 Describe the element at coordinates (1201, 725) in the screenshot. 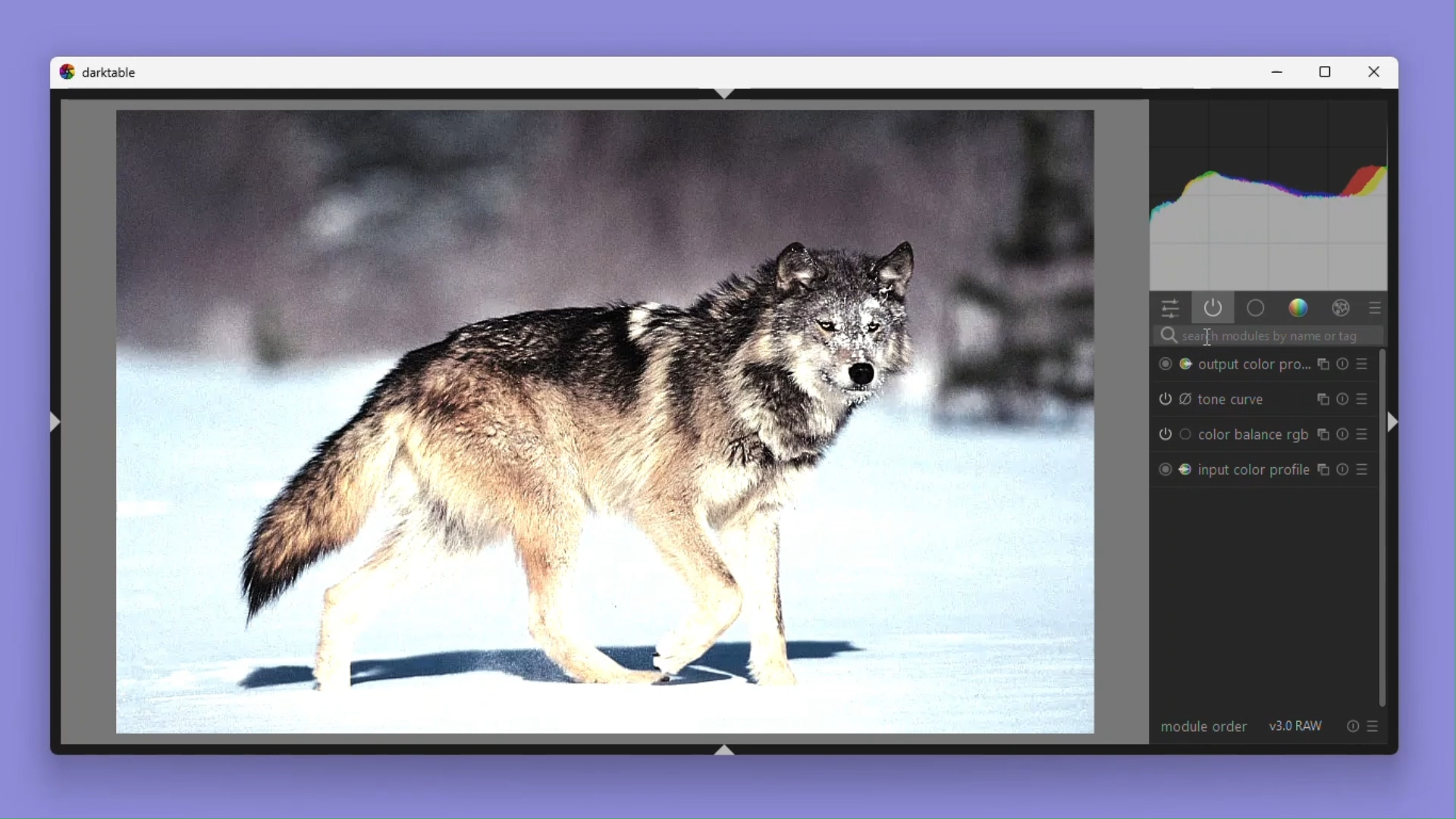

I see `Module order` at that location.